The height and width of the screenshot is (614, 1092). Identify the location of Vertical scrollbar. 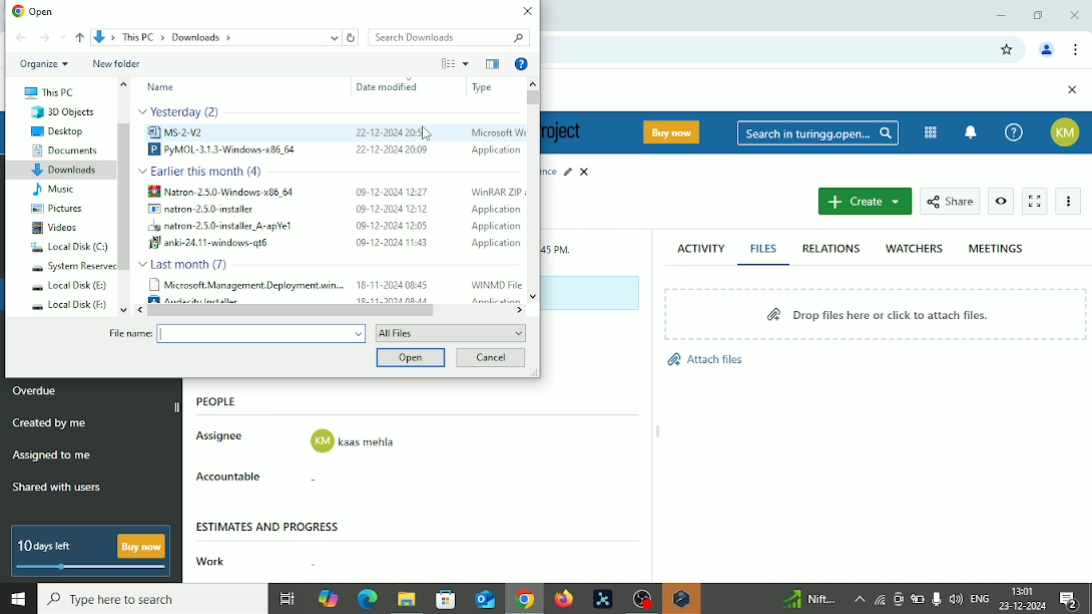
(125, 197).